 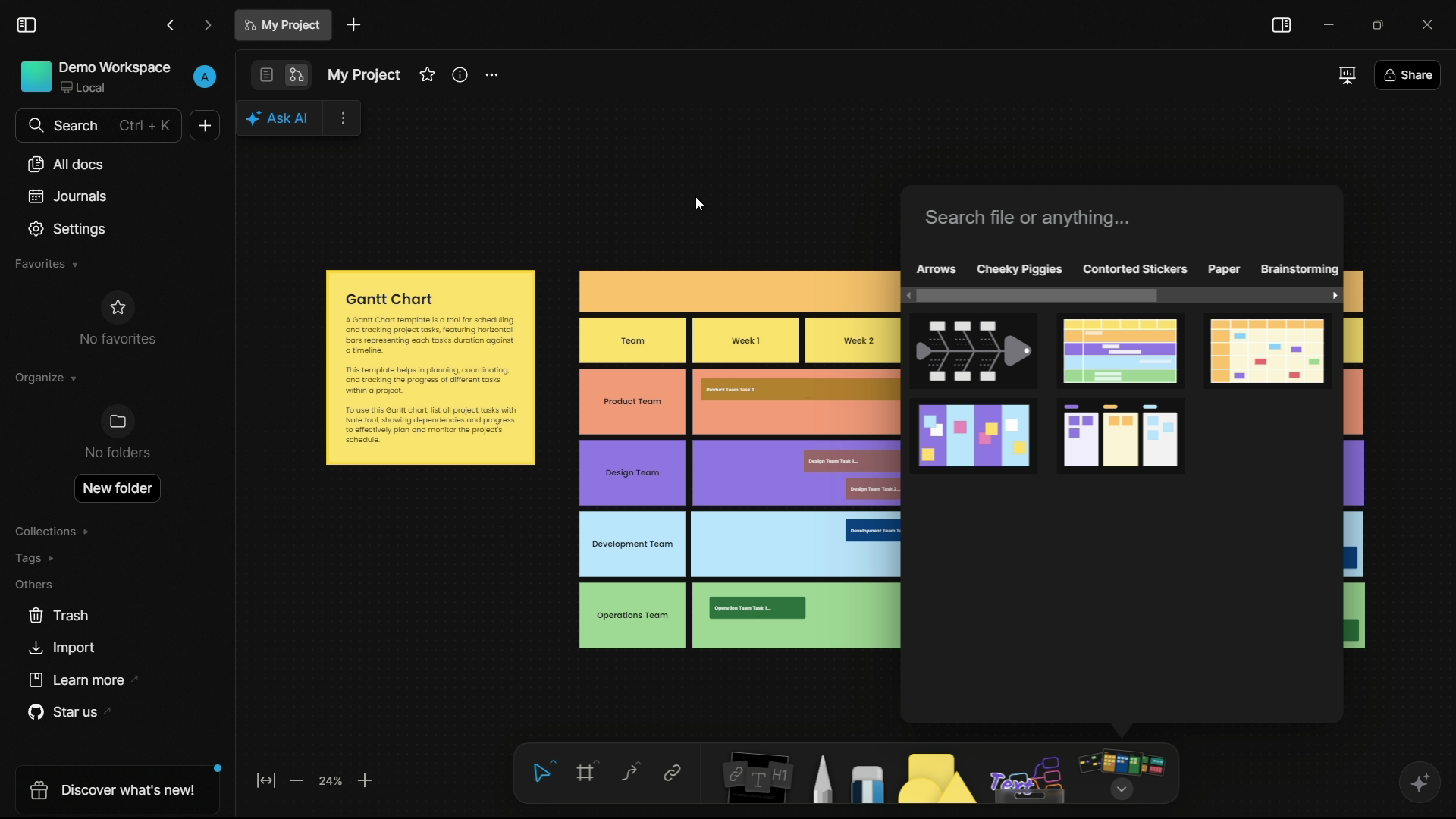 What do you see at coordinates (1327, 22) in the screenshot?
I see `minimize` at bounding box center [1327, 22].